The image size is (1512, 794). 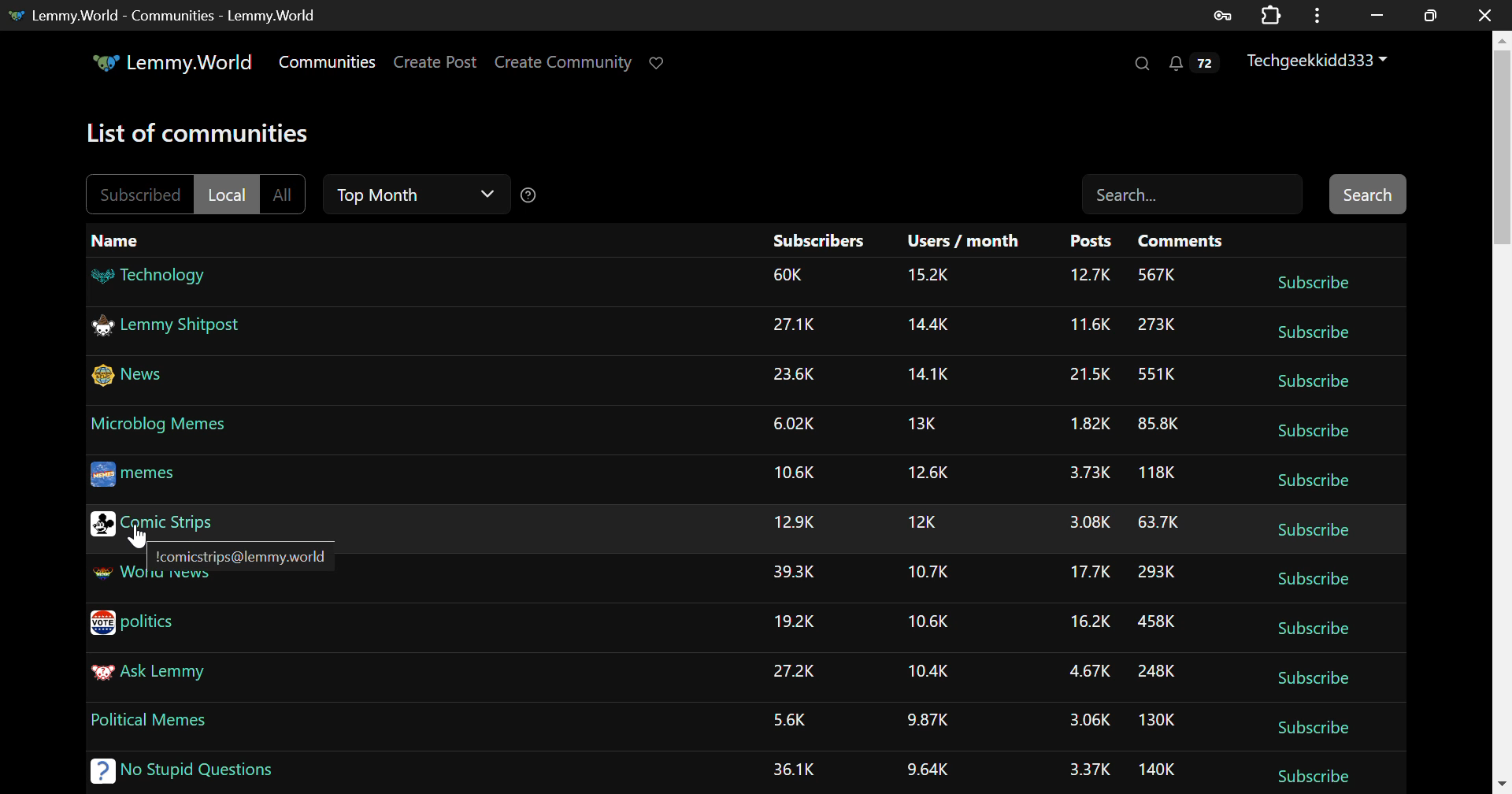 What do you see at coordinates (1306, 774) in the screenshot?
I see `Subscribe` at bounding box center [1306, 774].